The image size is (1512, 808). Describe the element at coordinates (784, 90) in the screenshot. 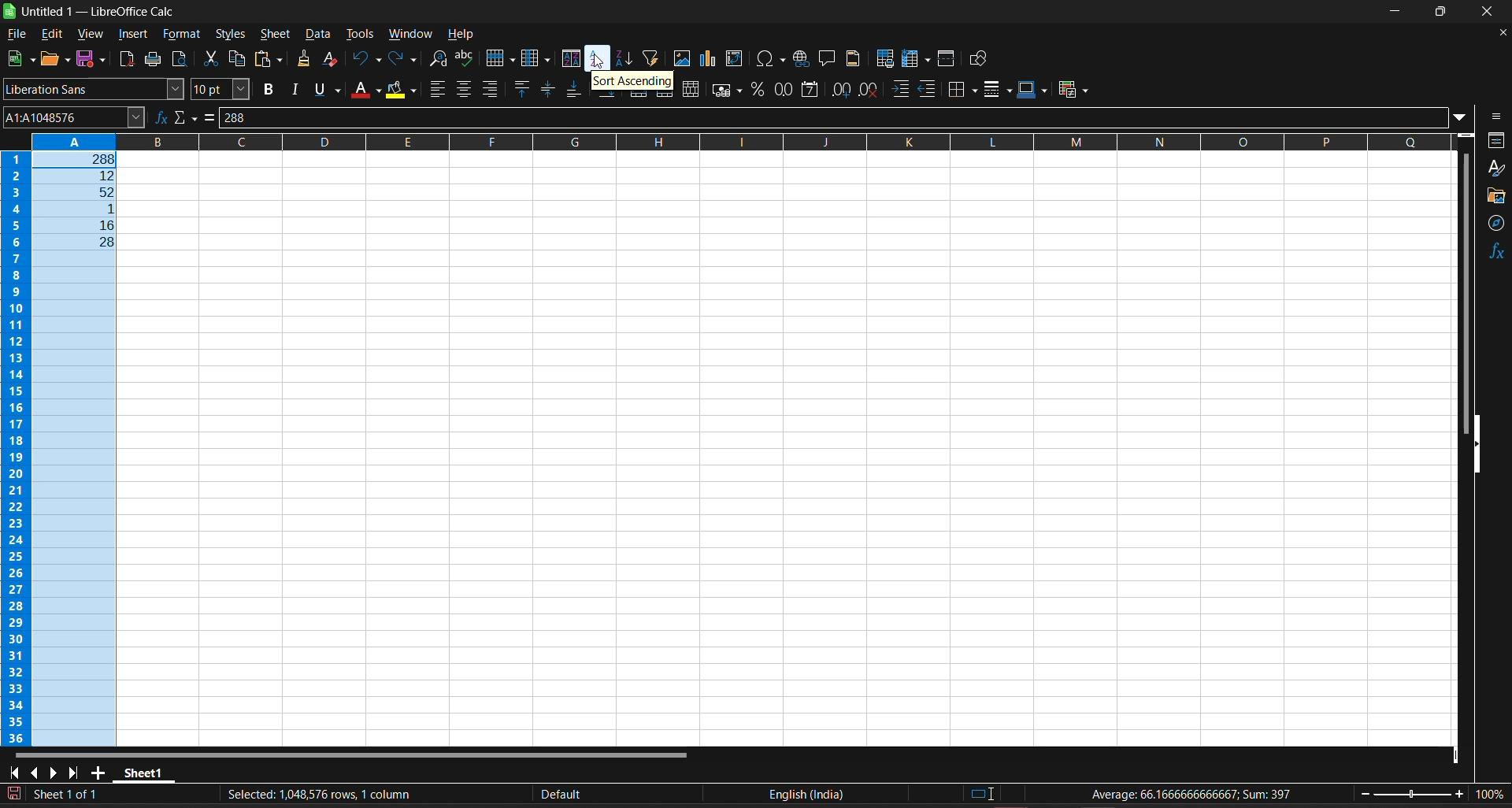

I see `format as number` at that location.